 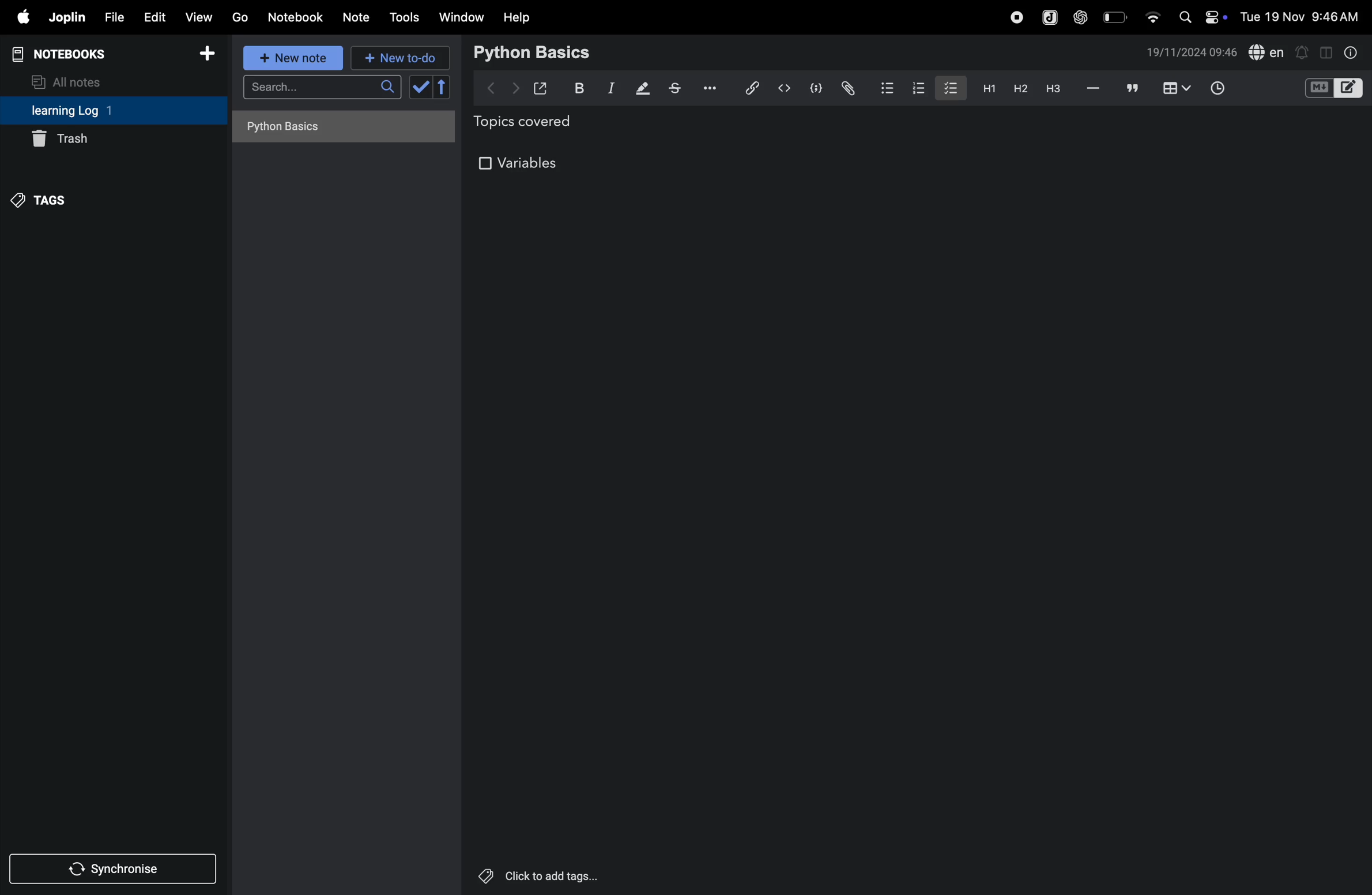 What do you see at coordinates (402, 17) in the screenshot?
I see `tools` at bounding box center [402, 17].